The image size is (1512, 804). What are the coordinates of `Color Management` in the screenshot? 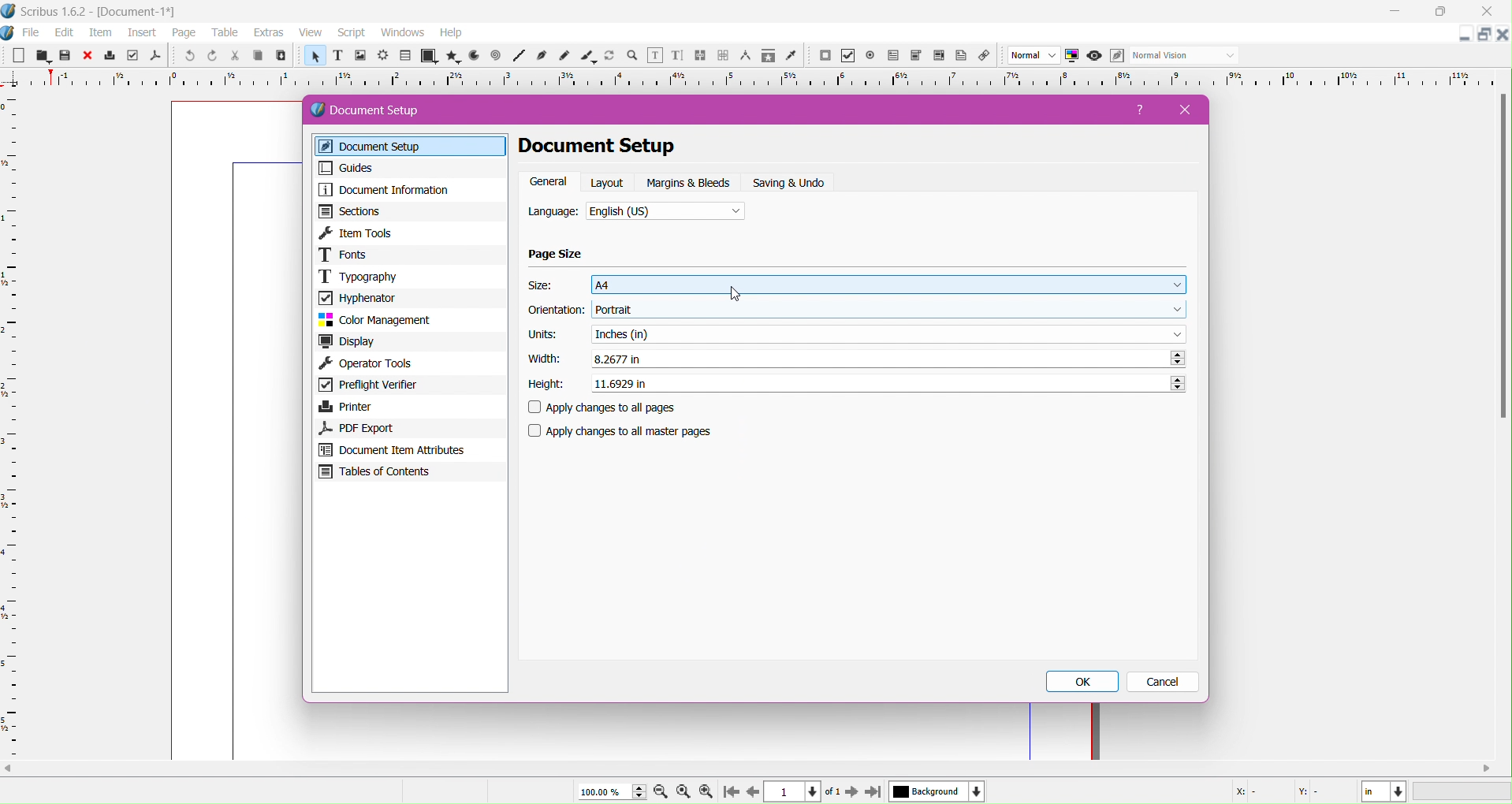 It's located at (409, 320).